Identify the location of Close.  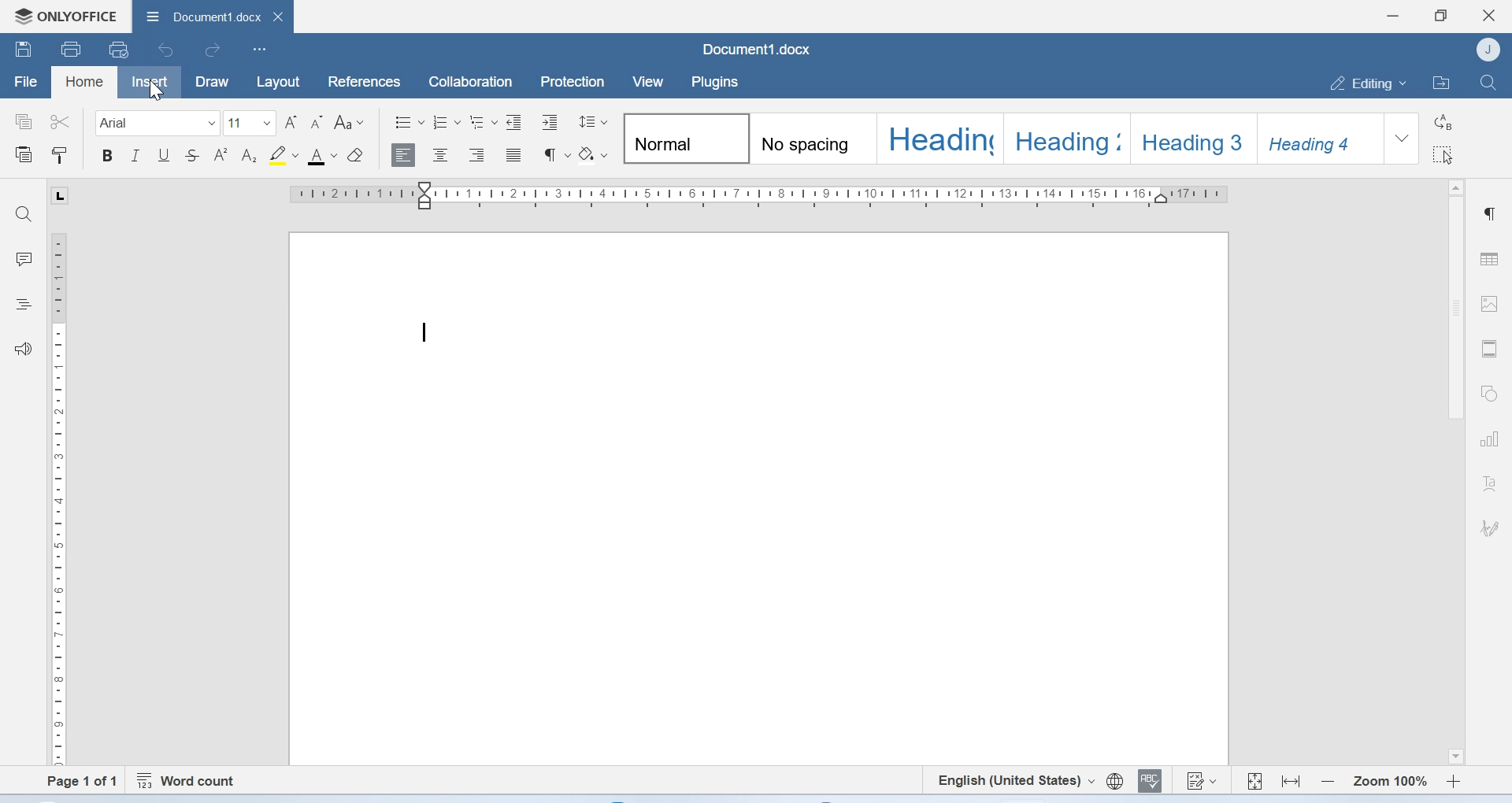
(1489, 16).